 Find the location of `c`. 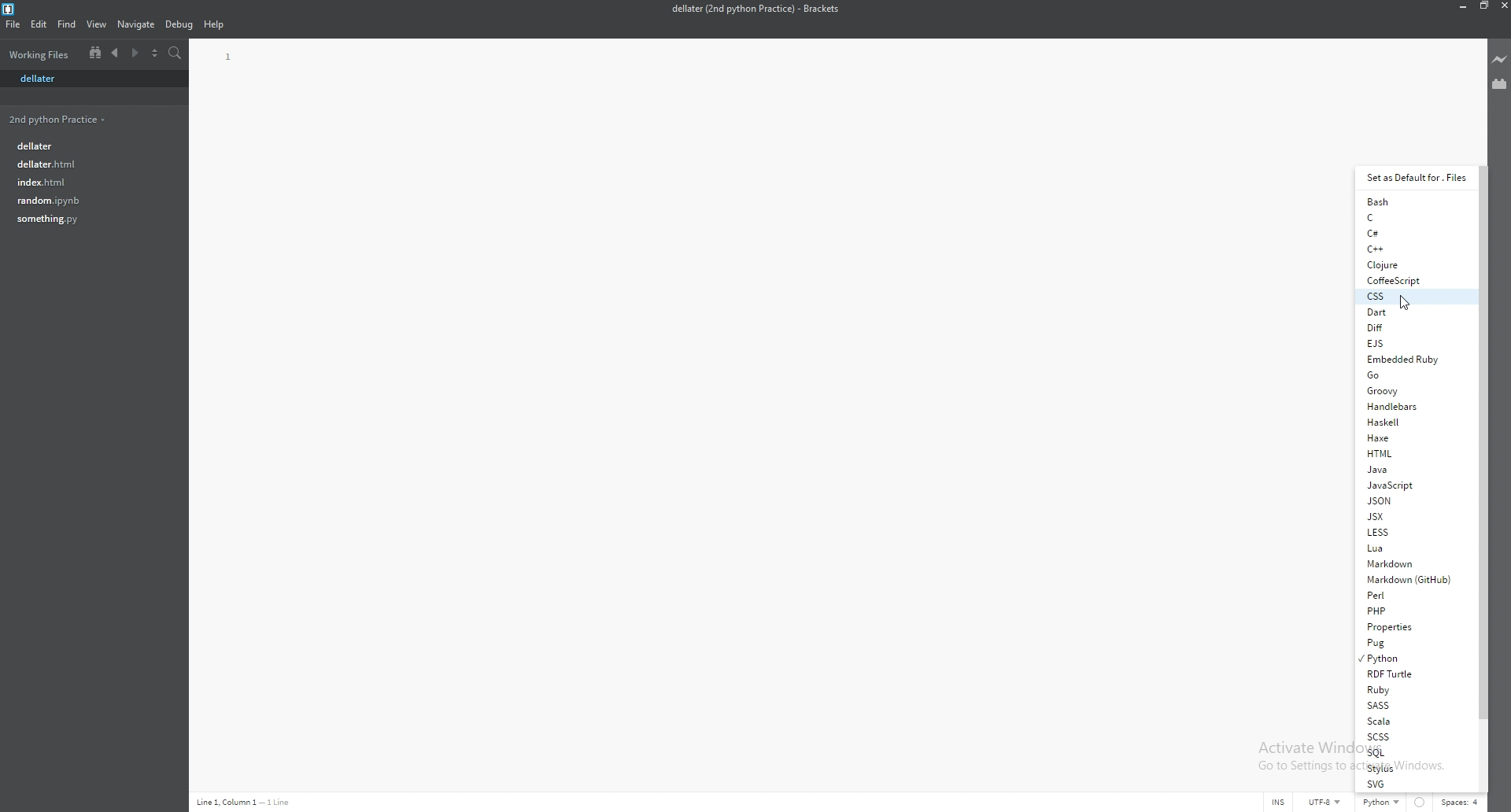

c is located at coordinates (1413, 217).